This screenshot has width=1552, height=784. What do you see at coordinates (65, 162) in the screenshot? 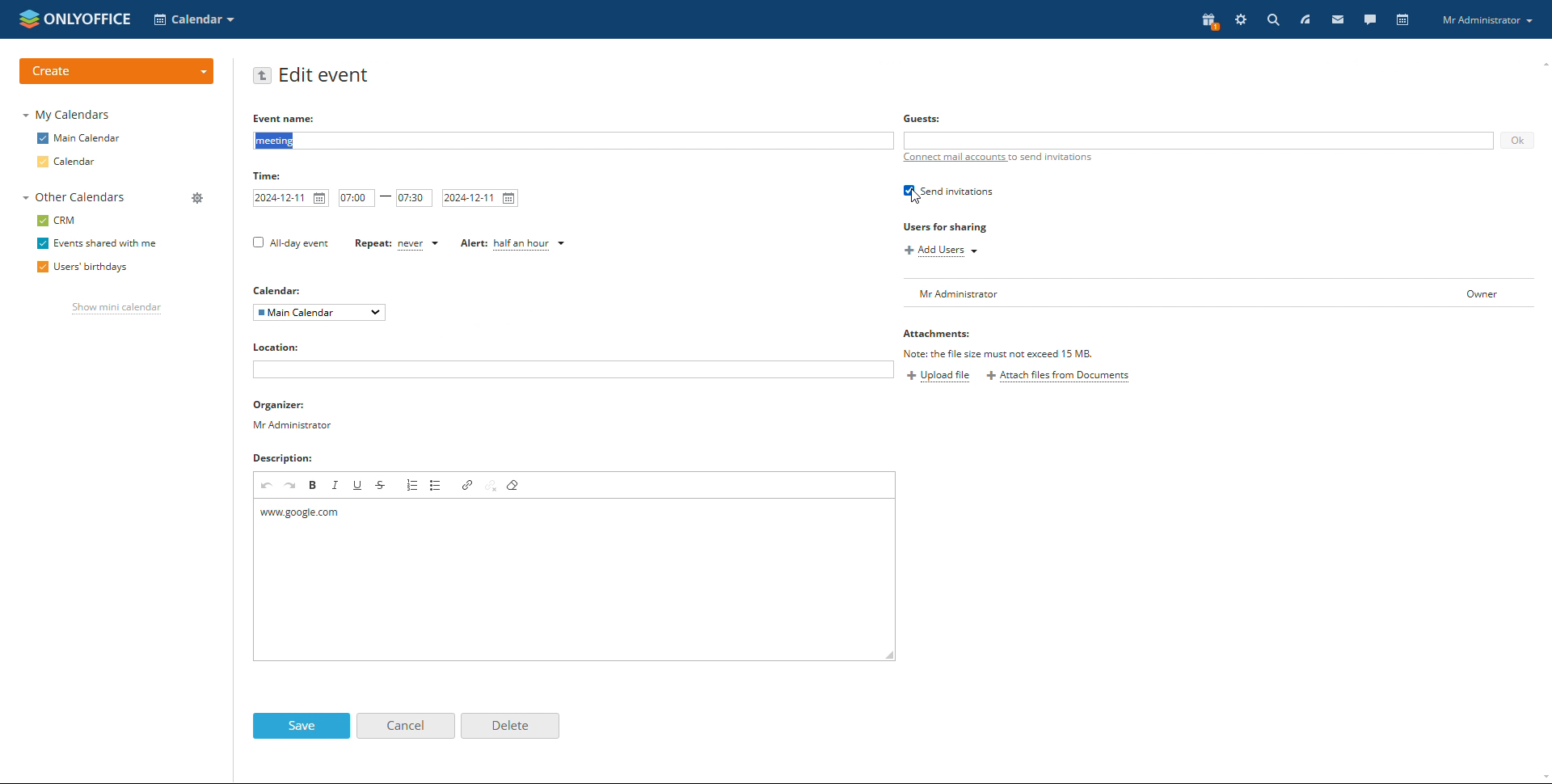
I see `calendar` at bounding box center [65, 162].